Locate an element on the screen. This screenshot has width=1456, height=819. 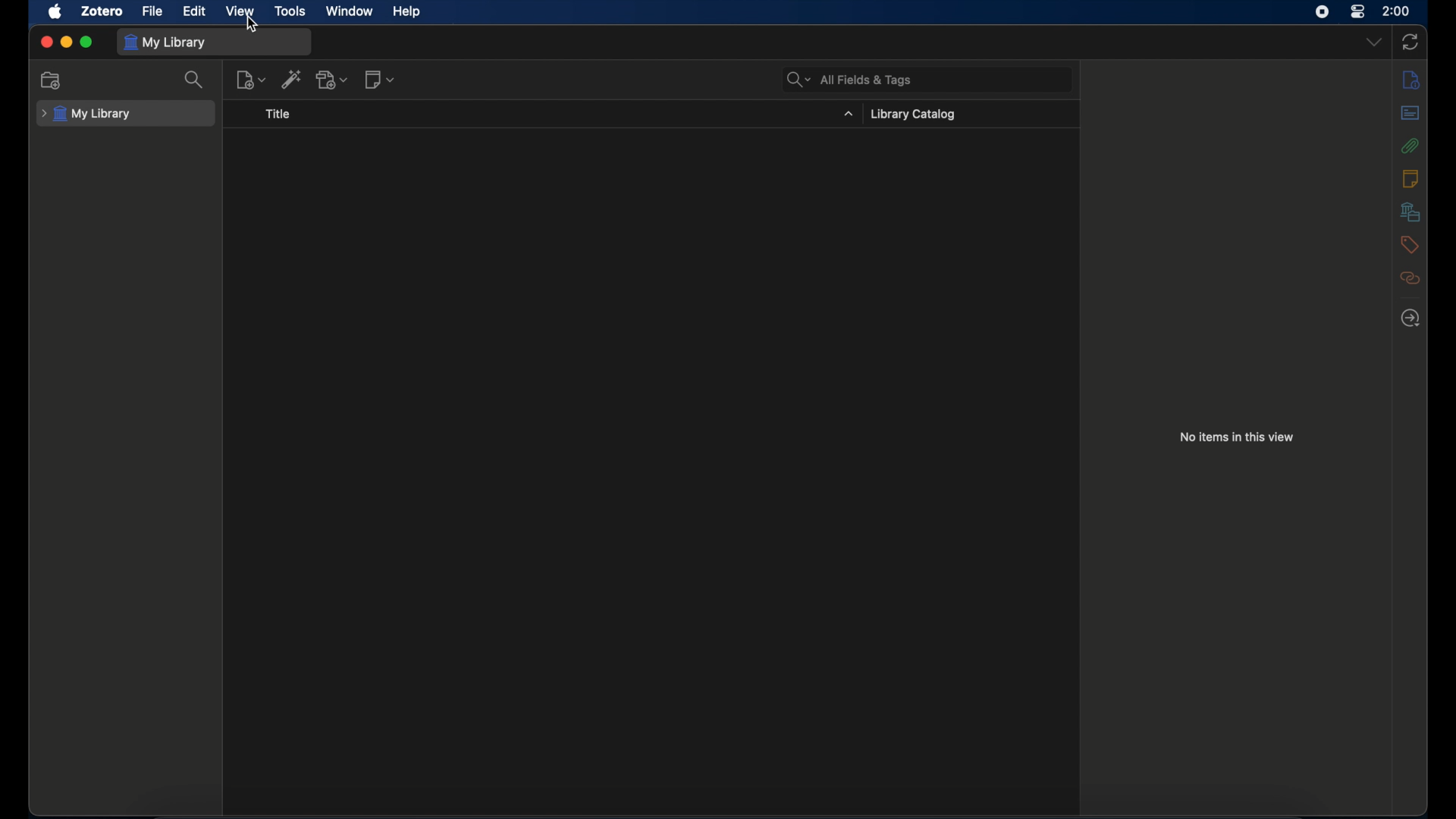
maximize is located at coordinates (86, 40).